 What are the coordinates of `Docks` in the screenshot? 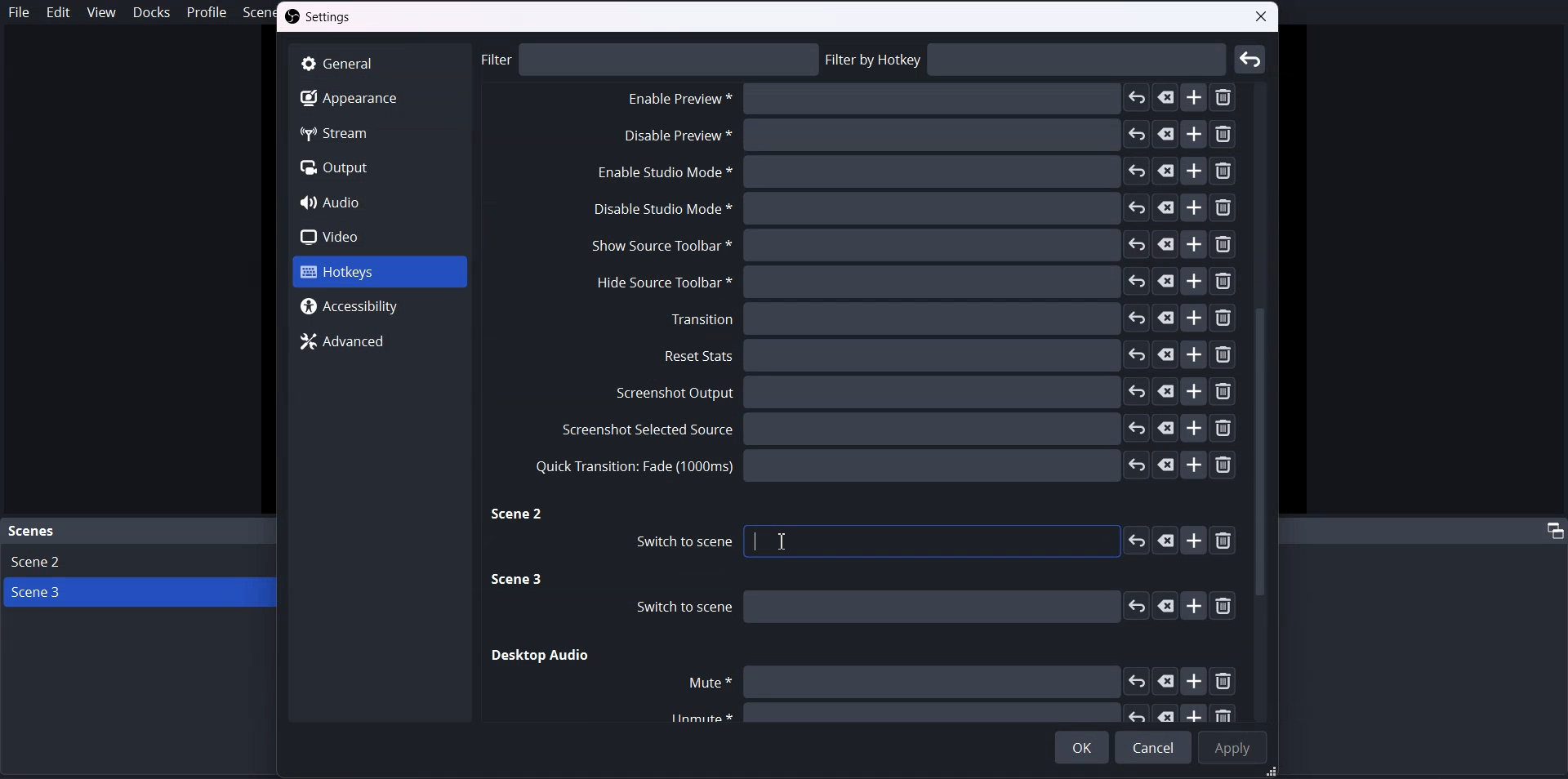 It's located at (151, 12).